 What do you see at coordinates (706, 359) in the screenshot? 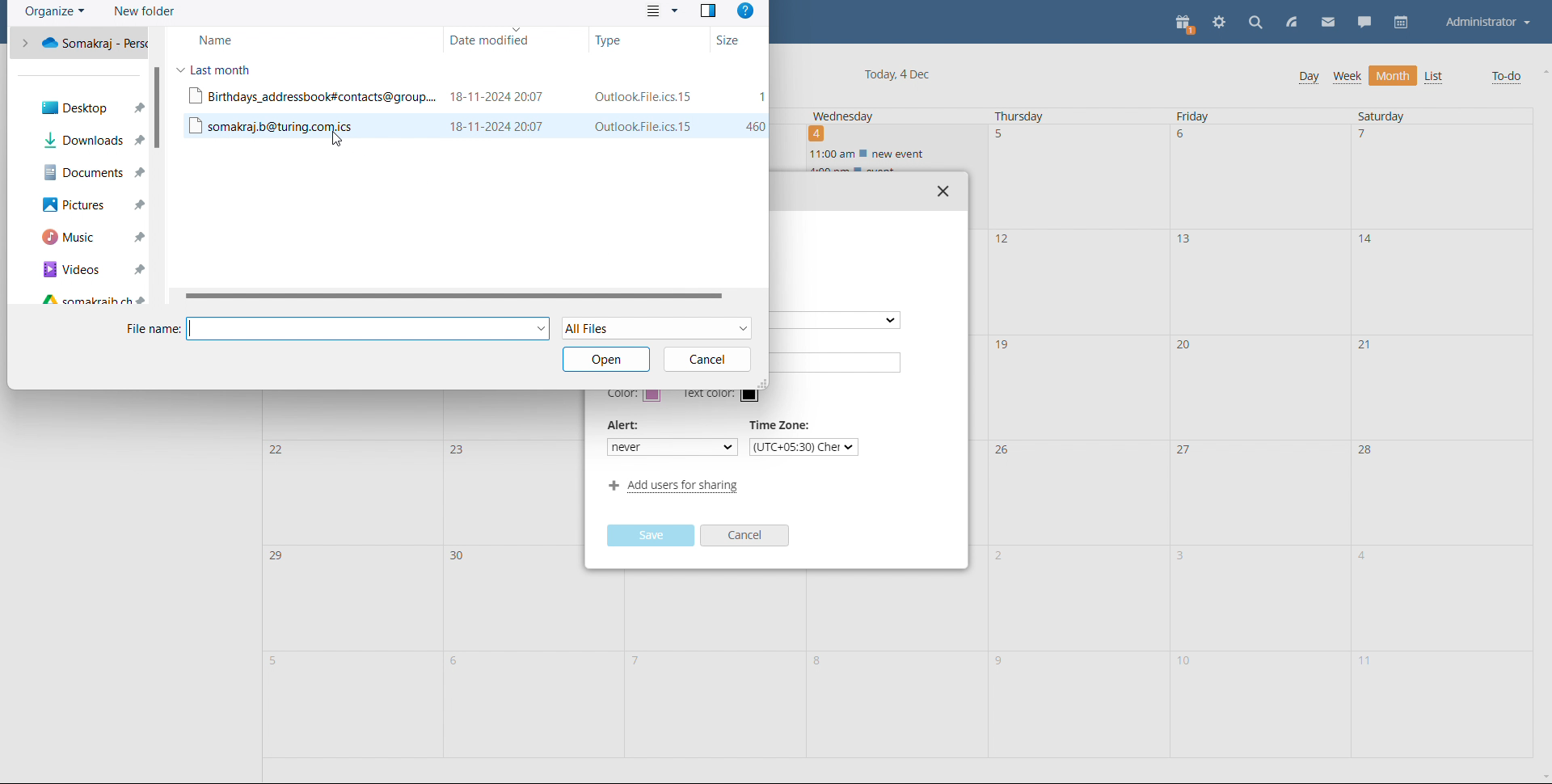
I see `cancel` at bounding box center [706, 359].